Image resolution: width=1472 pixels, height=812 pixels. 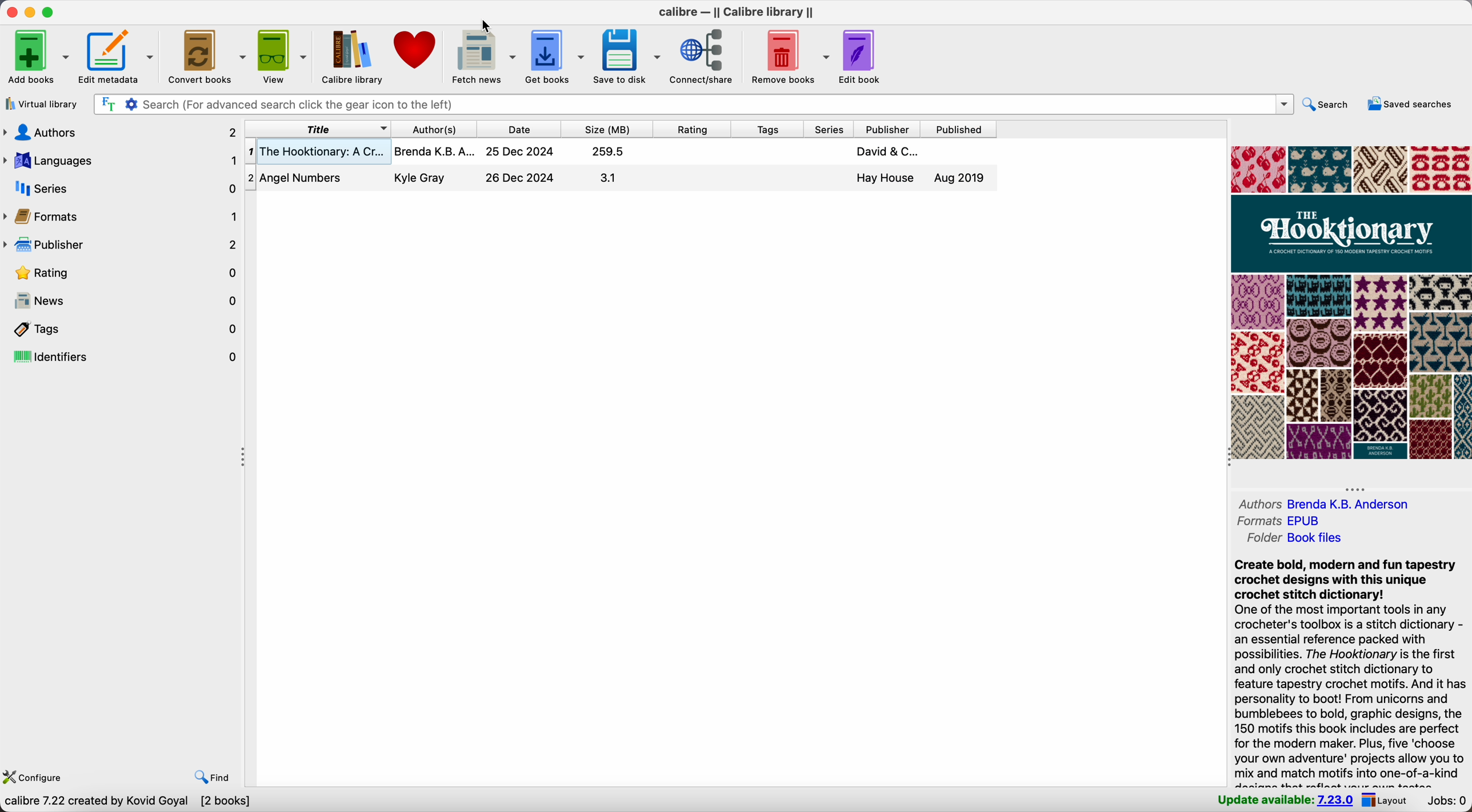 I want to click on date, so click(x=517, y=130).